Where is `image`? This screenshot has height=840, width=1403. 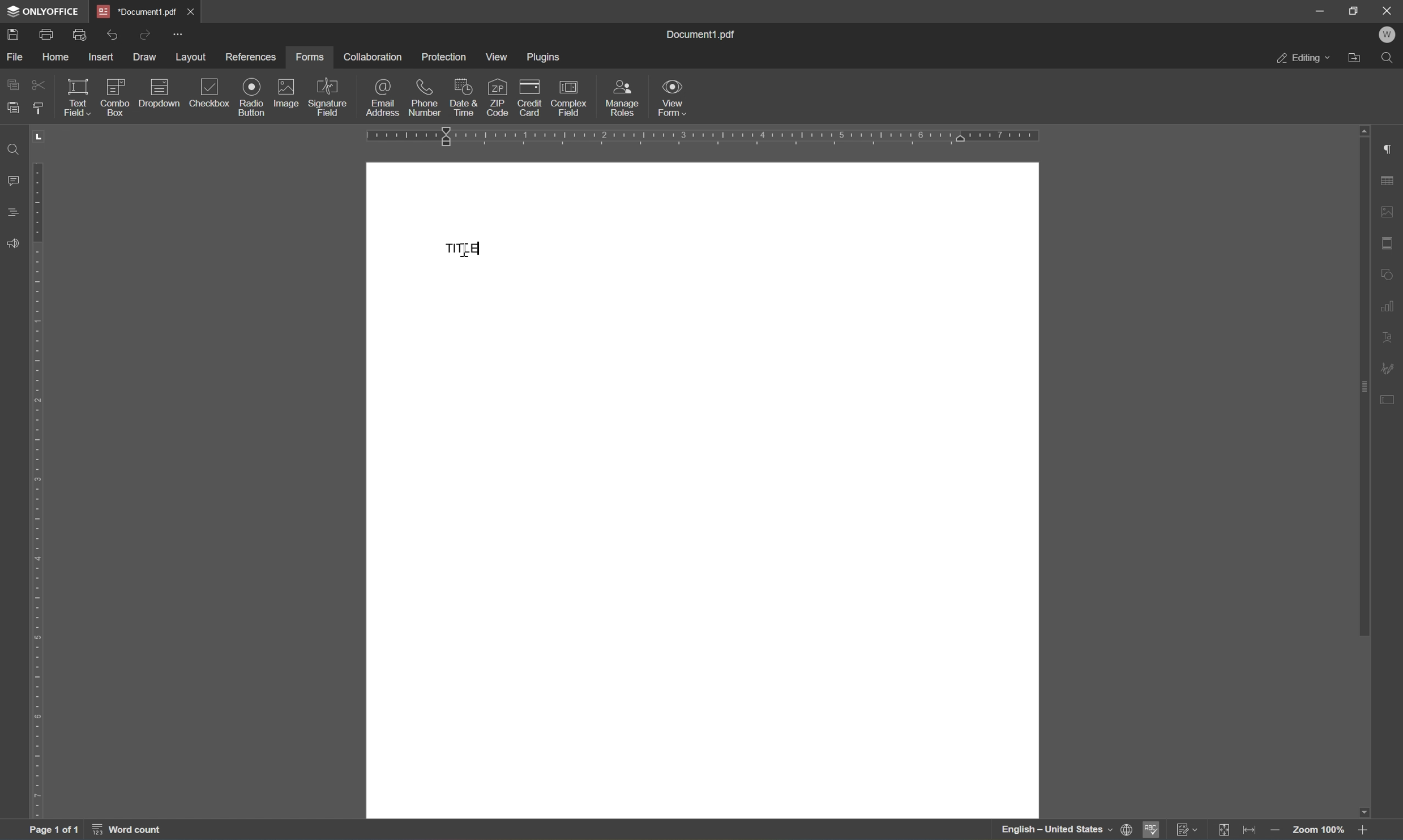
image is located at coordinates (289, 93).